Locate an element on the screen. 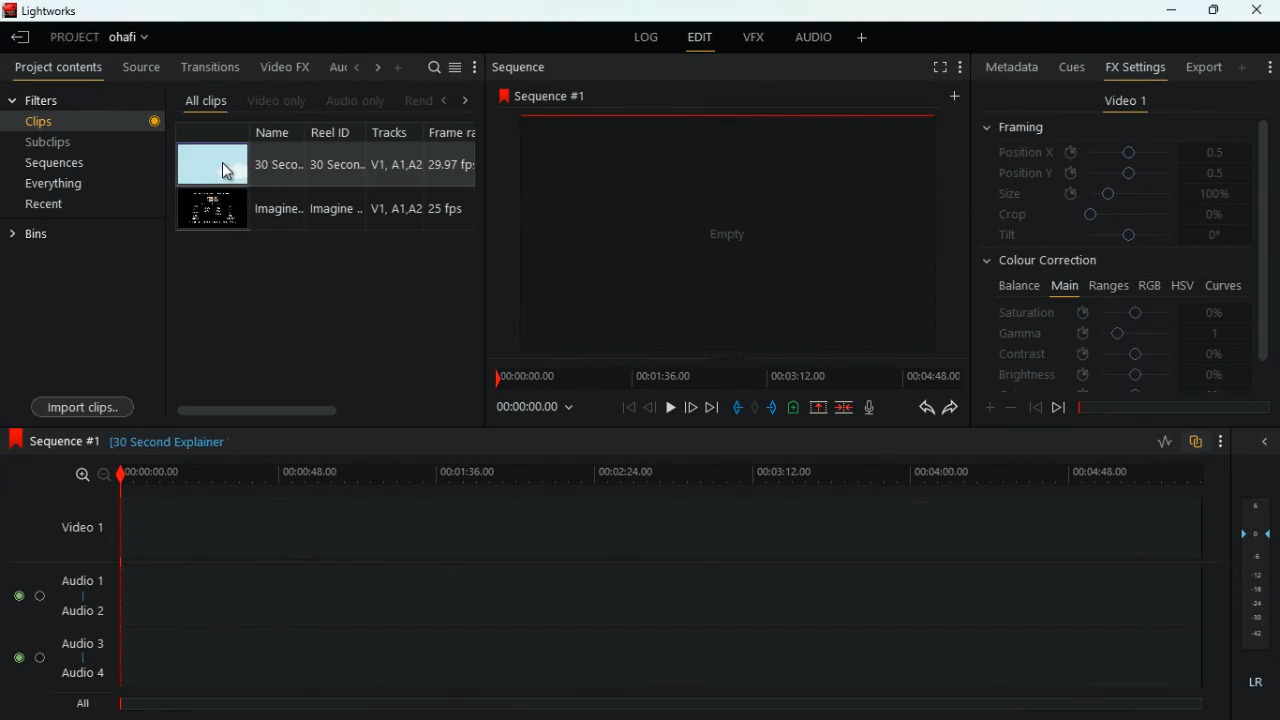 This screenshot has height=720, width=1280. close is located at coordinates (1261, 443).